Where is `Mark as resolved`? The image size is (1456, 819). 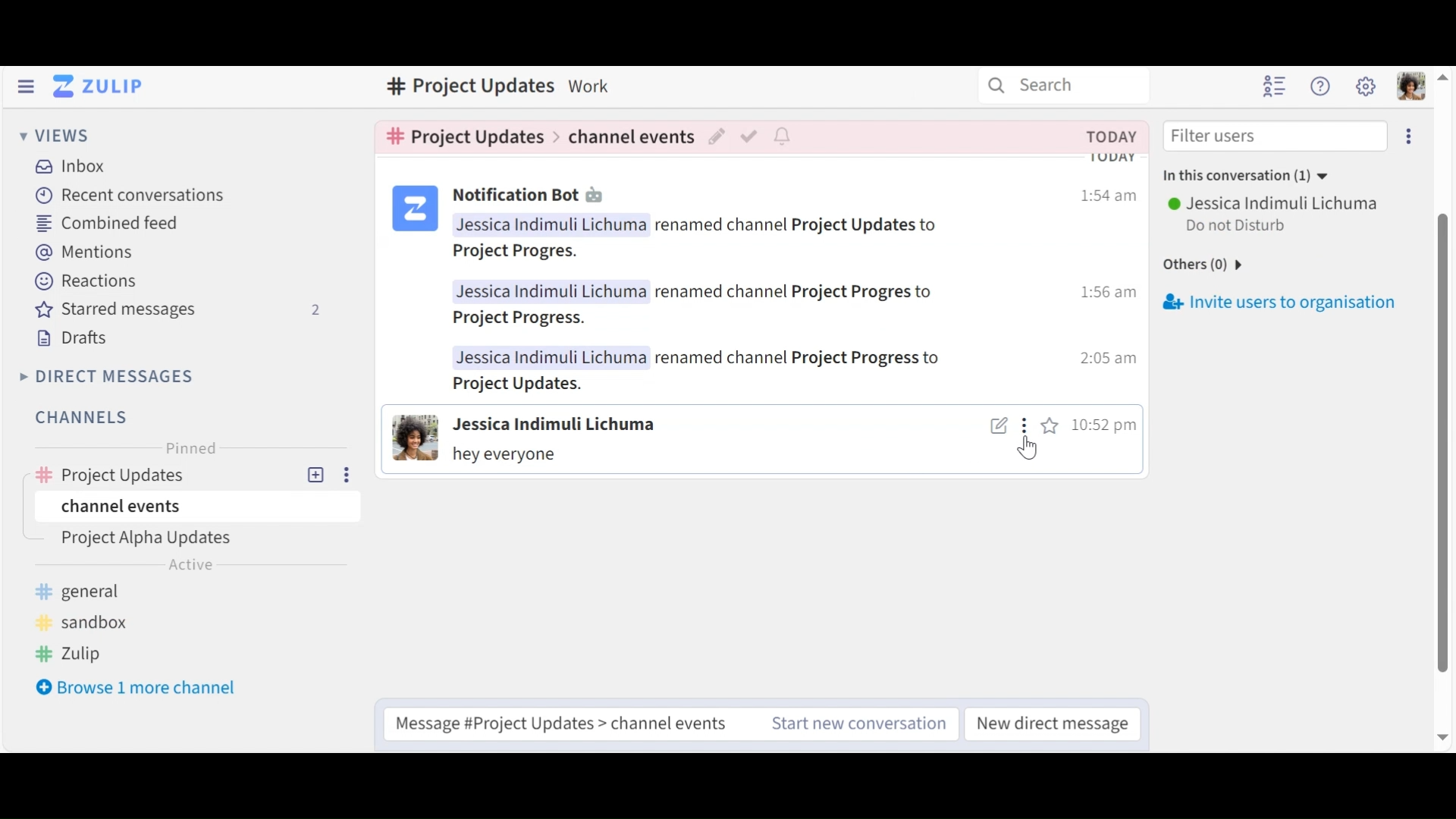
Mark as resolved is located at coordinates (752, 136).